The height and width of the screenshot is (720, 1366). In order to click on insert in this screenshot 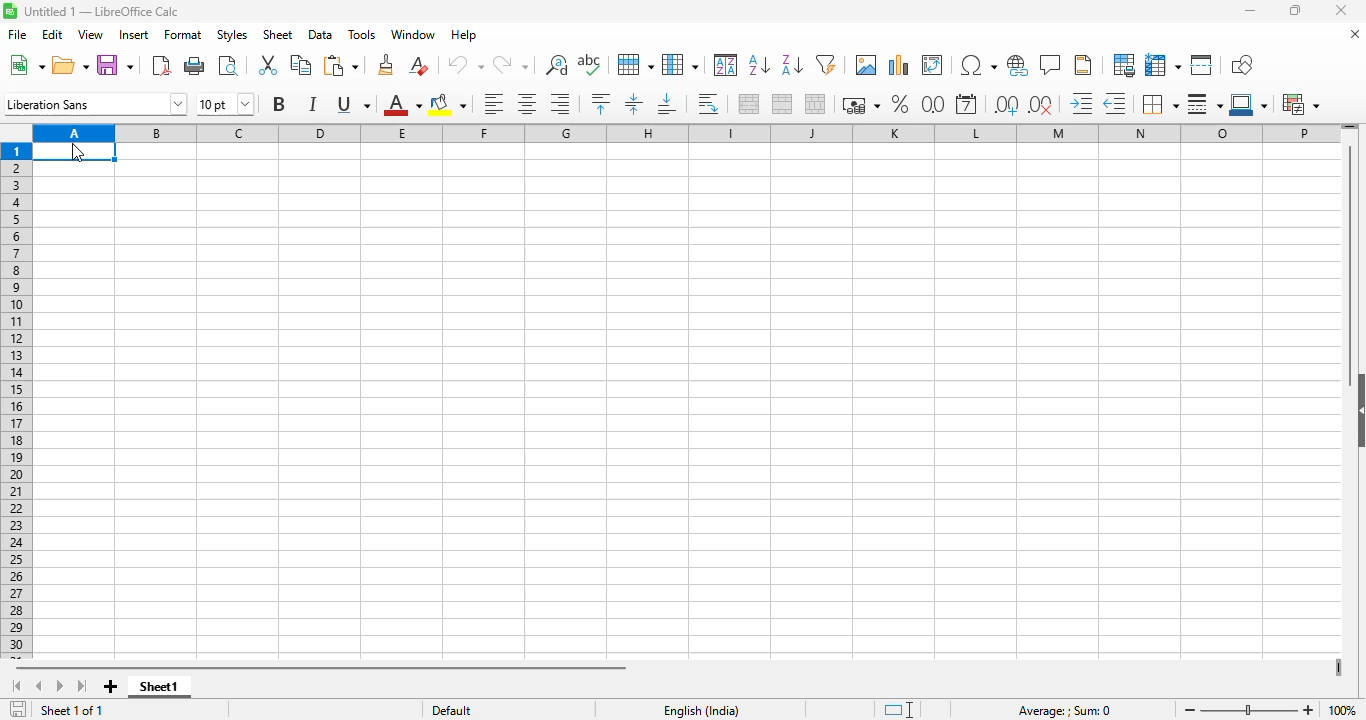, I will do `click(134, 34)`.